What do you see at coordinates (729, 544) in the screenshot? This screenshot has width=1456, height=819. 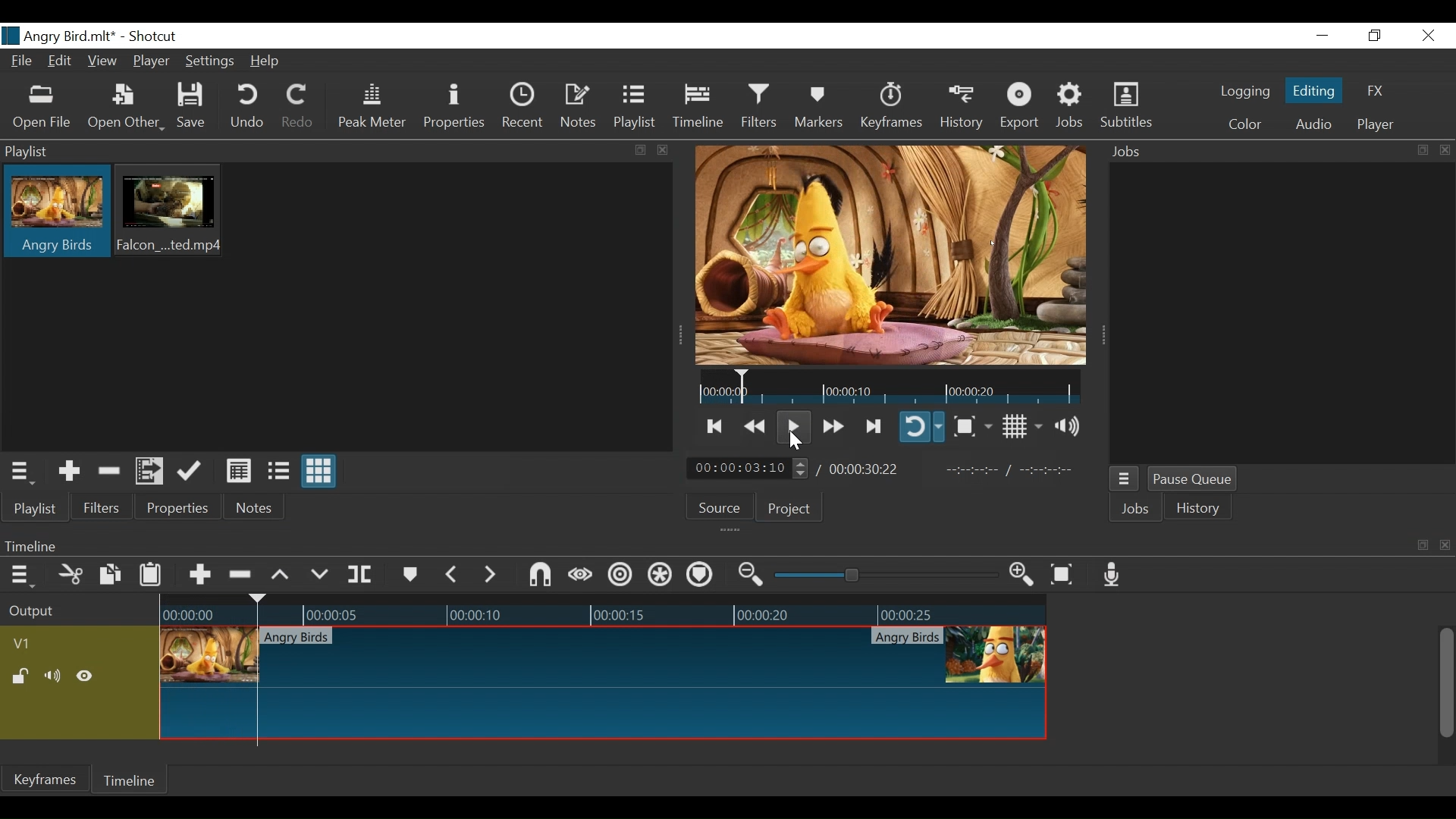 I see `` at bounding box center [729, 544].